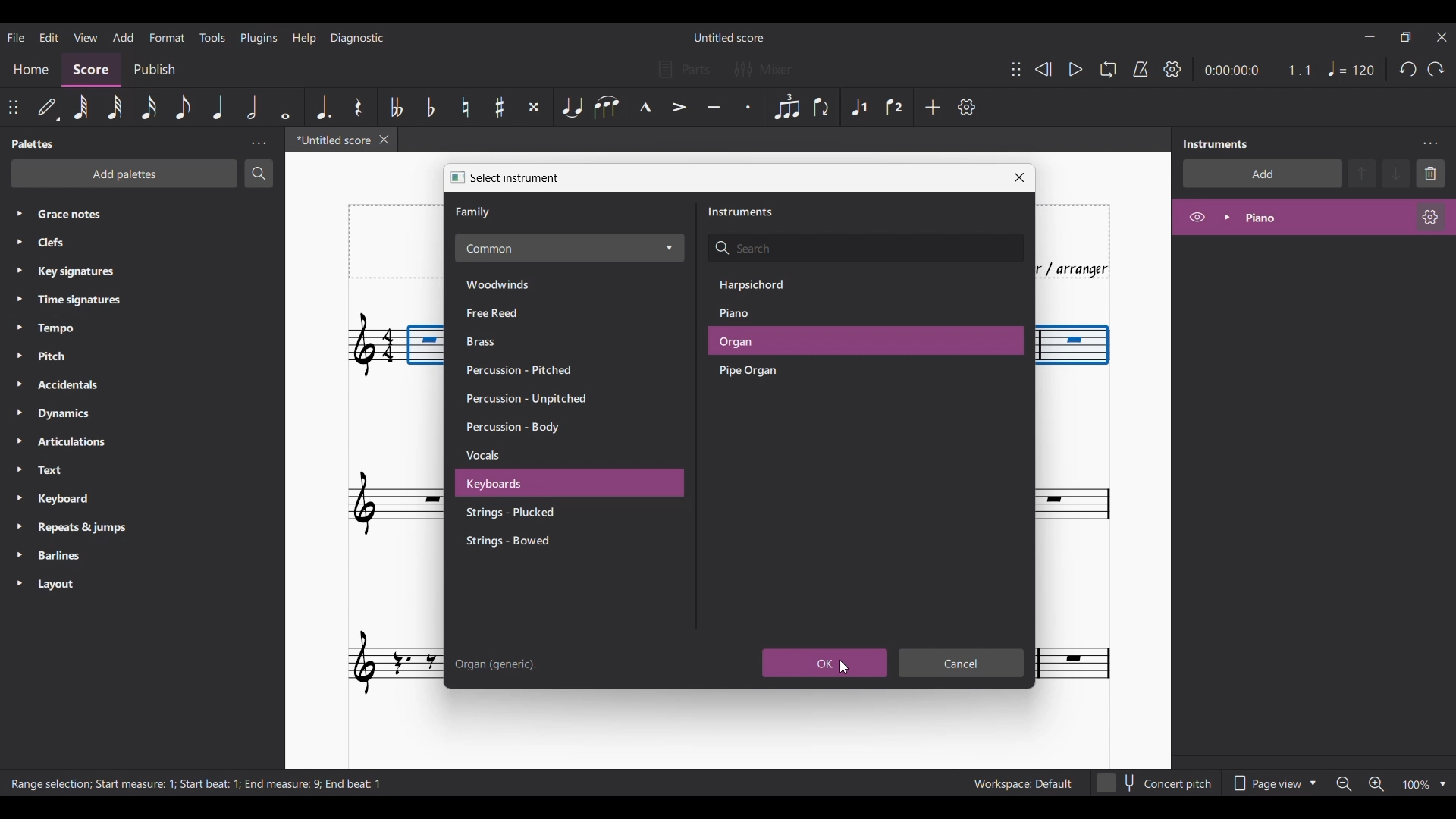  Describe the element at coordinates (199, 783) in the screenshot. I see `Description of current selection` at that location.